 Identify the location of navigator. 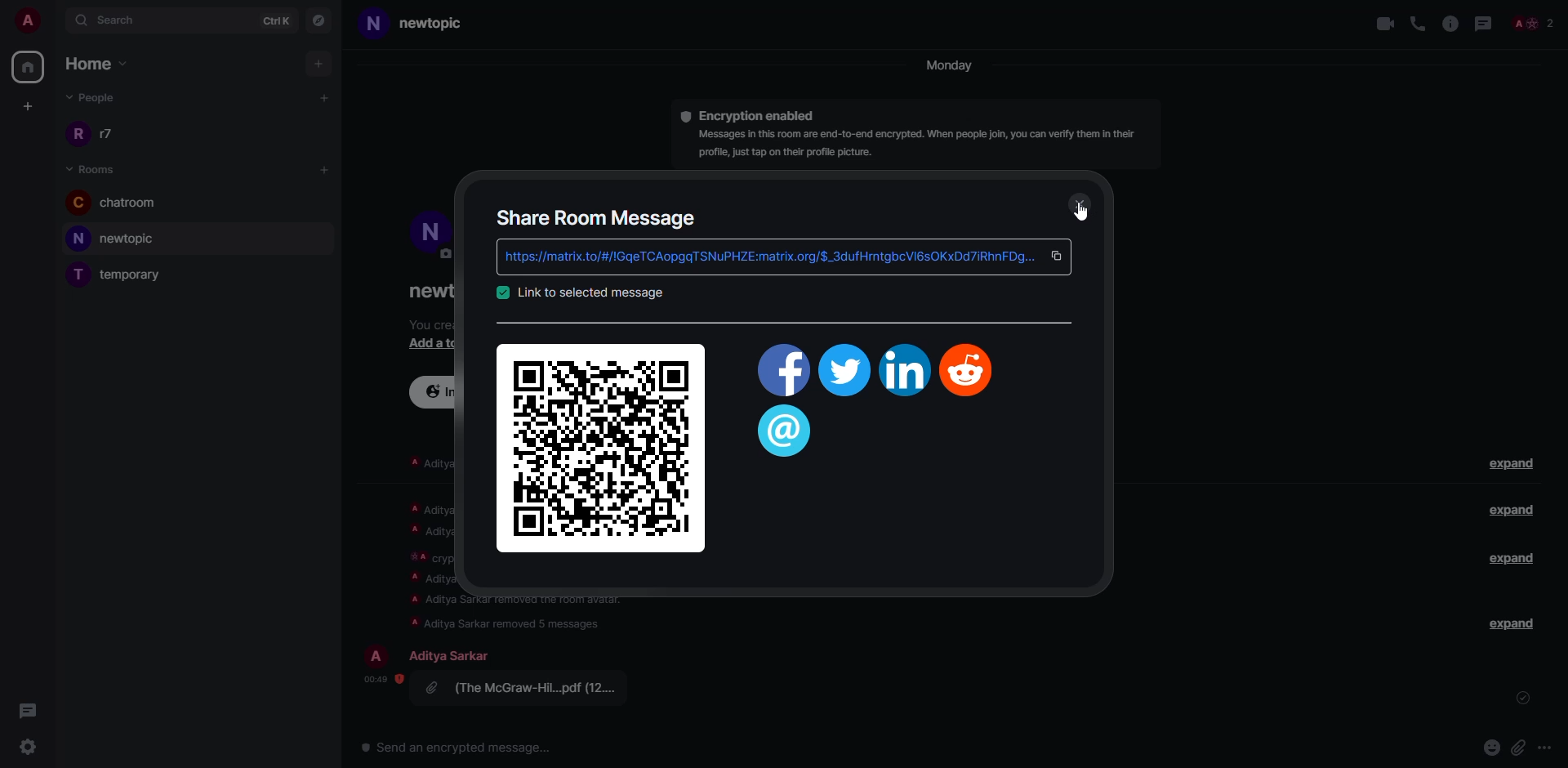
(318, 19).